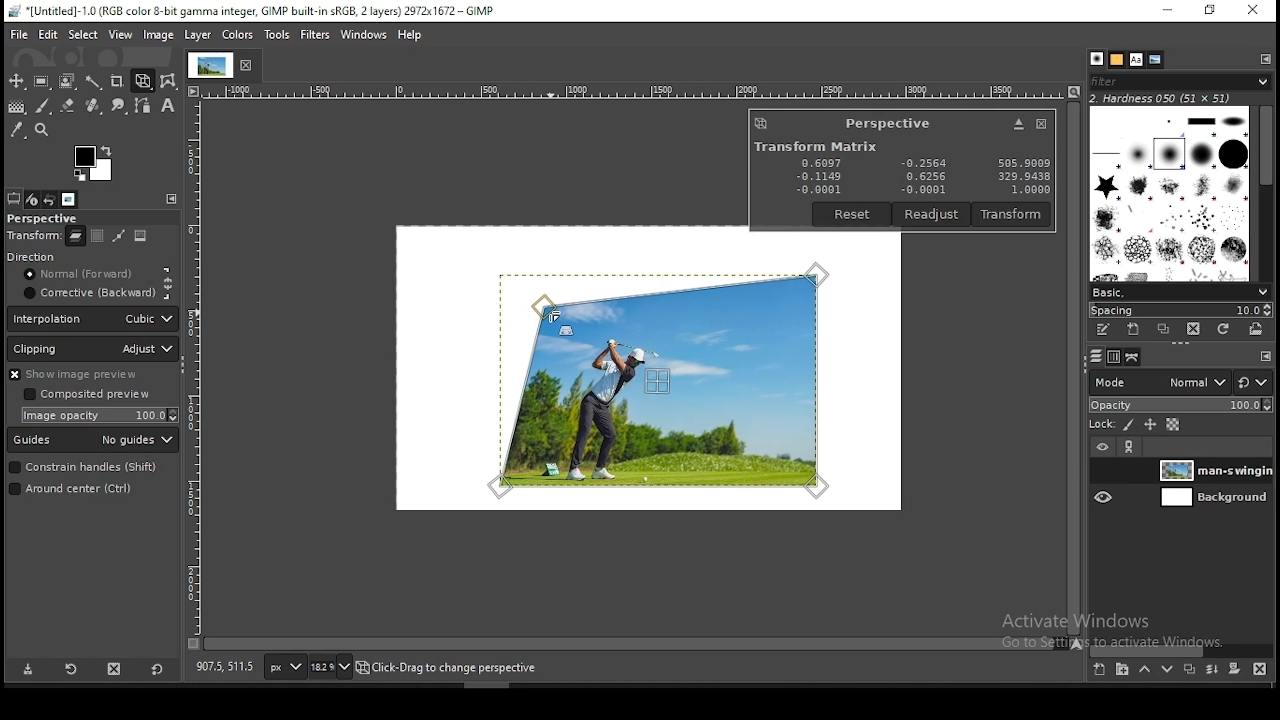 The width and height of the screenshot is (1280, 720). What do you see at coordinates (13, 198) in the screenshot?
I see `tool options` at bounding box center [13, 198].